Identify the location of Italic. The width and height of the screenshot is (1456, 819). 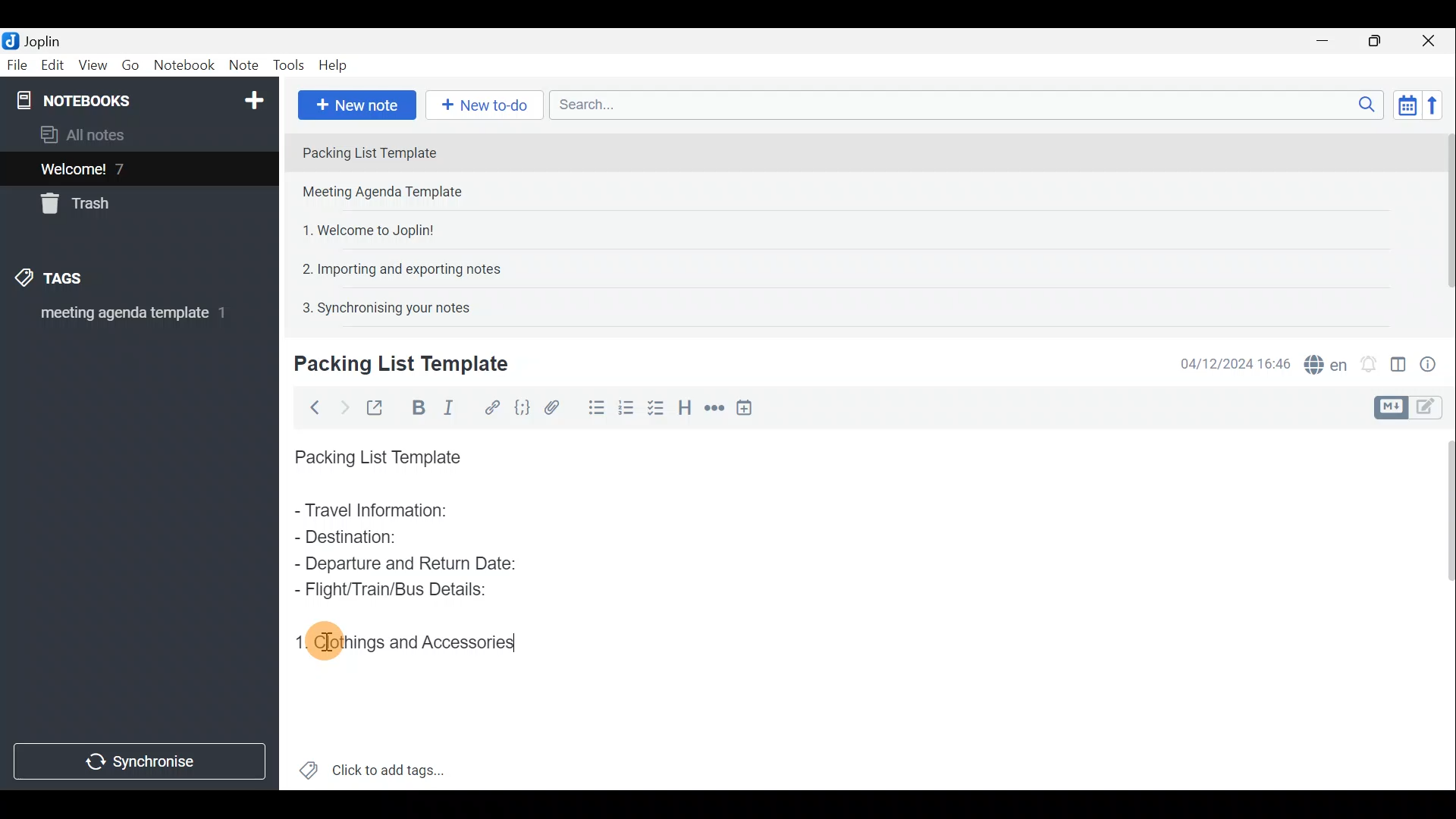
(454, 407).